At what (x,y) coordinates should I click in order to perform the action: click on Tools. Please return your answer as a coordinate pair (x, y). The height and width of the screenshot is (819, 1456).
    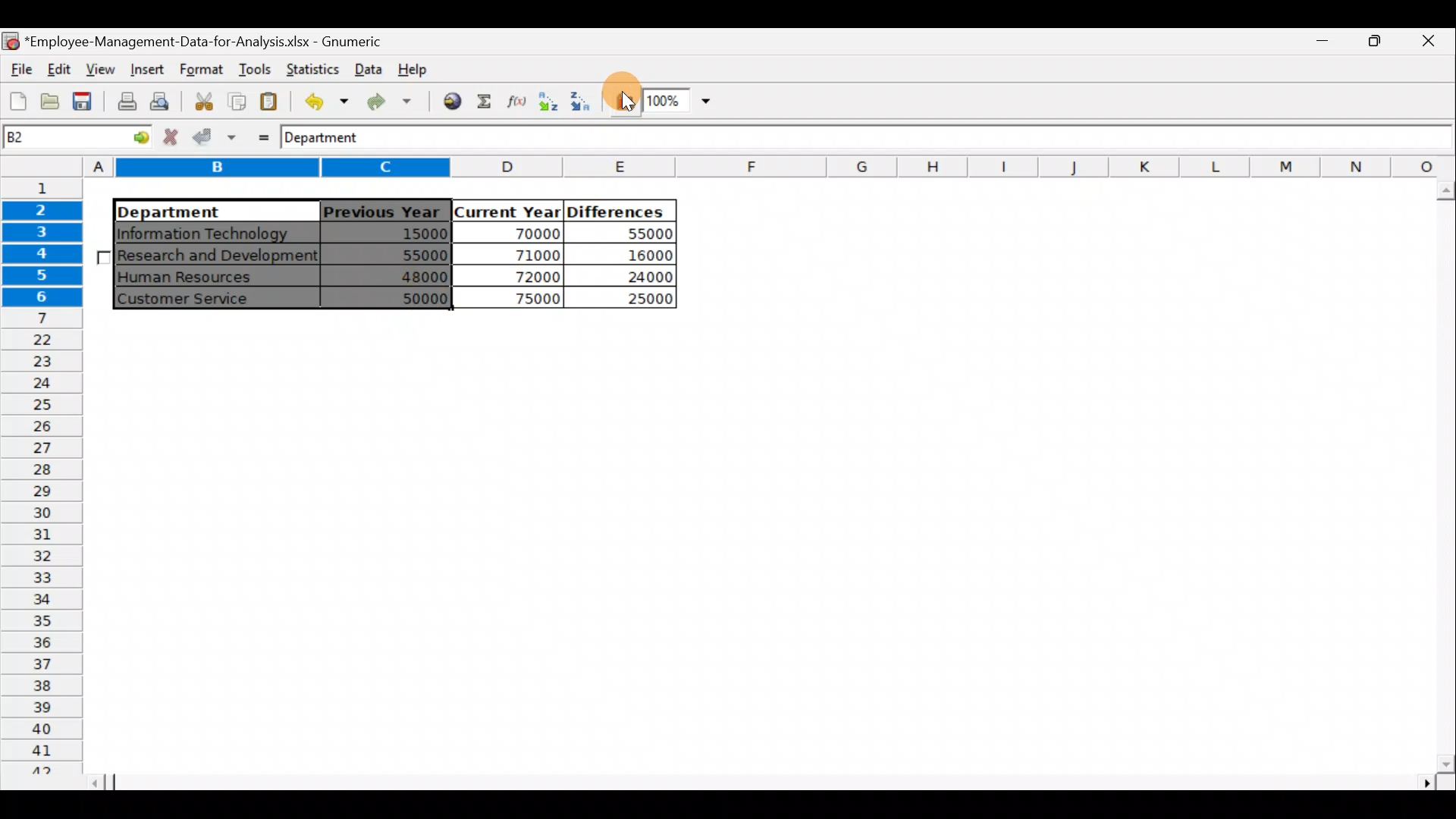
    Looking at the image, I should click on (251, 68).